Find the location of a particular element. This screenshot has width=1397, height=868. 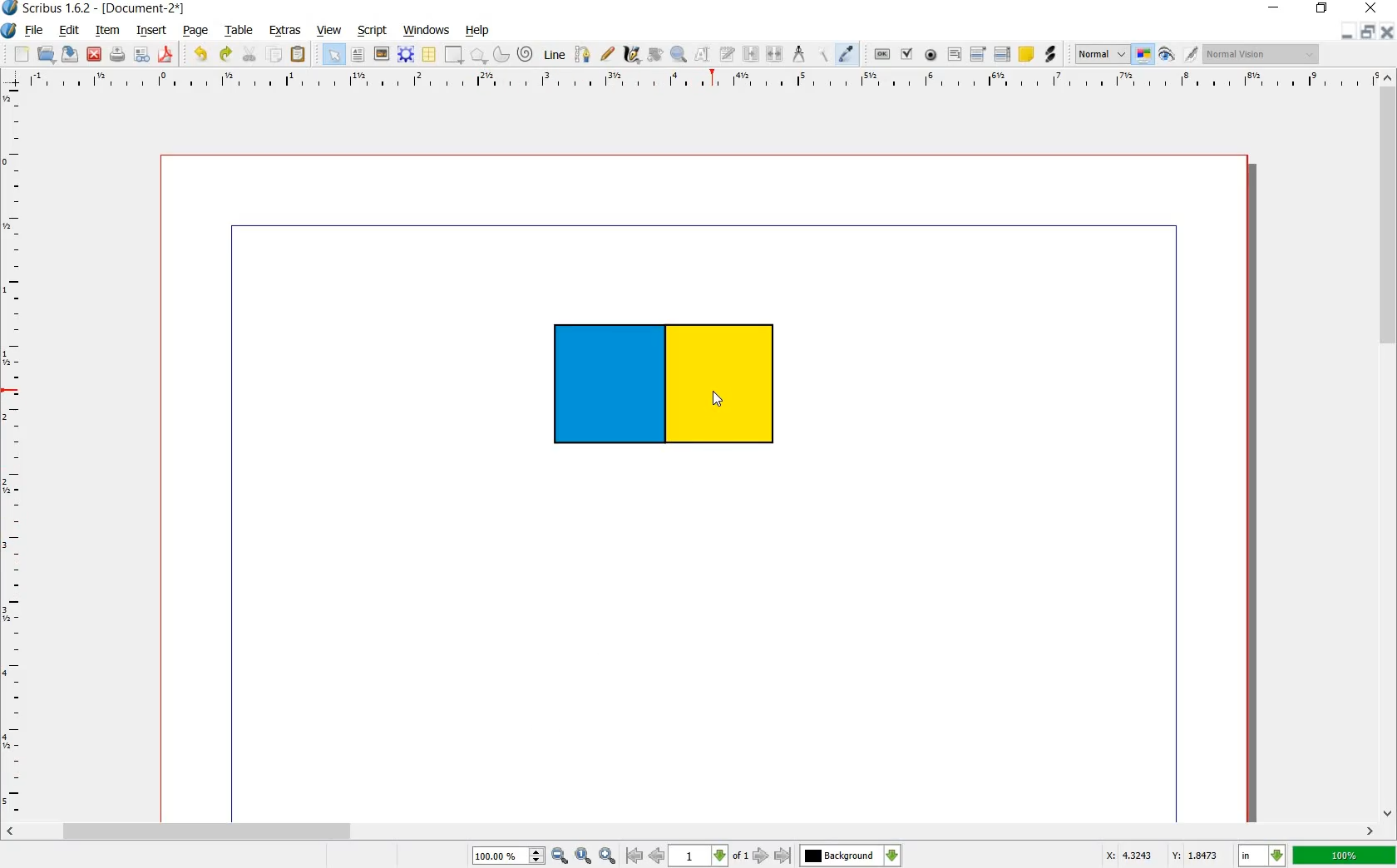

line is located at coordinates (555, 55).